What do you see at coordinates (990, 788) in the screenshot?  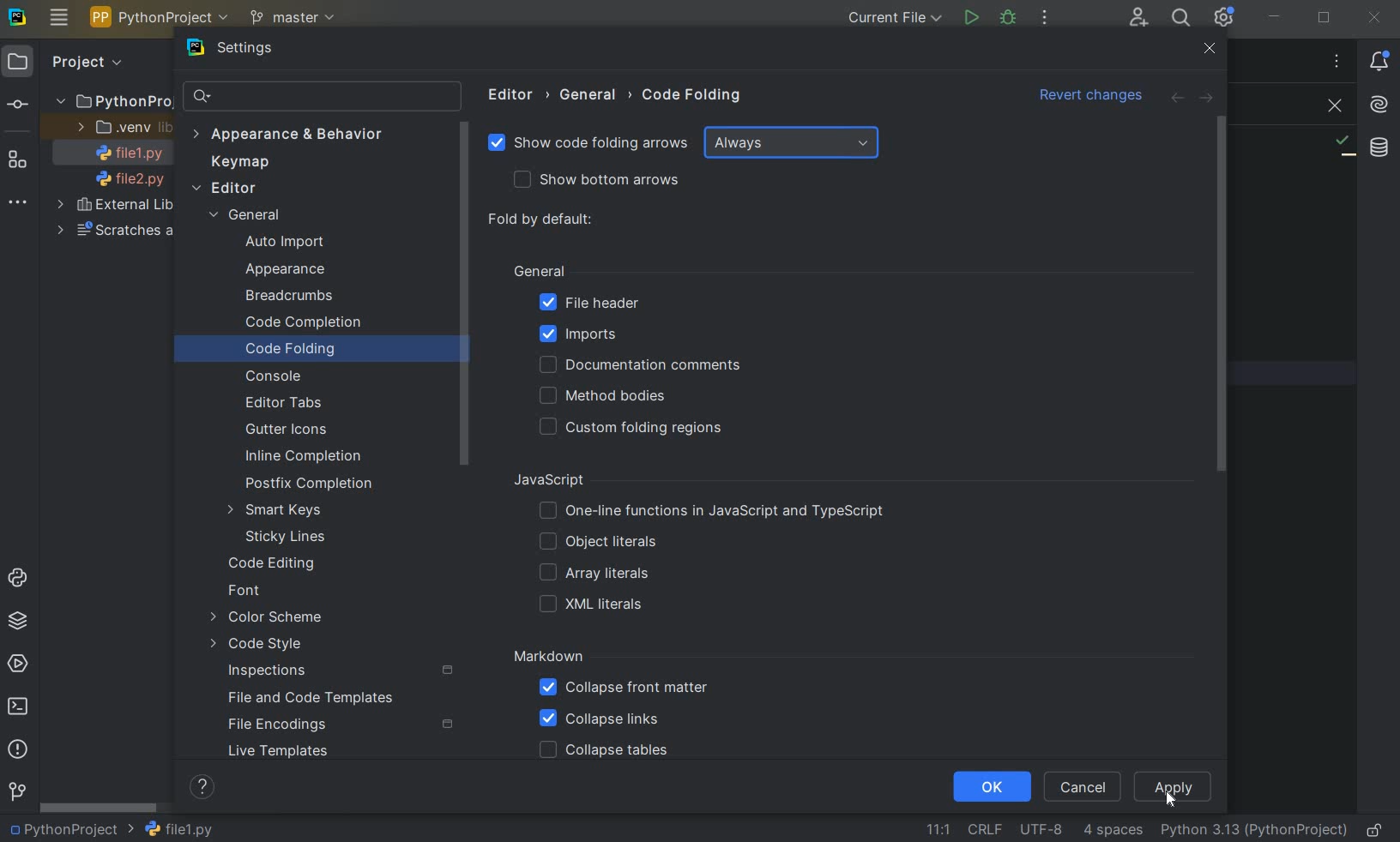 I see `OK` at bounding box center [990, 788].